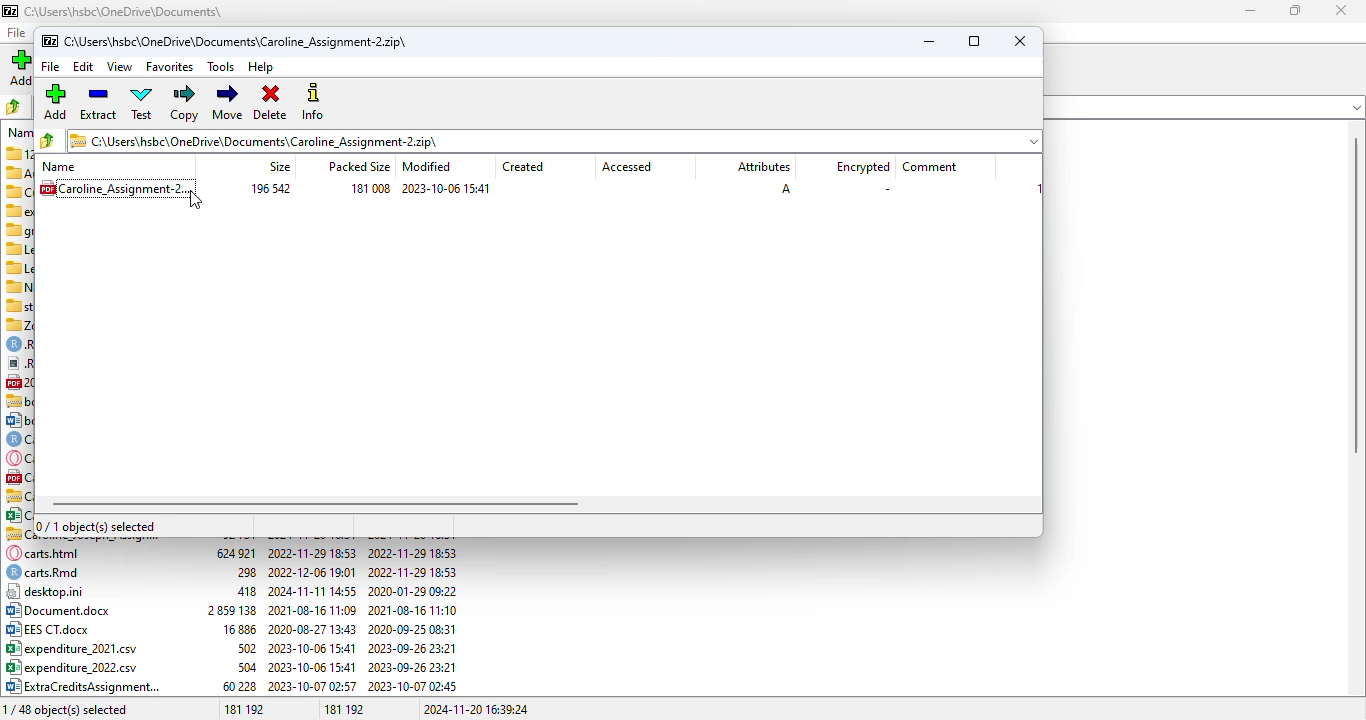  What do you see at coordinates (522, 166) in the screenshot?
I see `created` at bounding box center [522, 166].